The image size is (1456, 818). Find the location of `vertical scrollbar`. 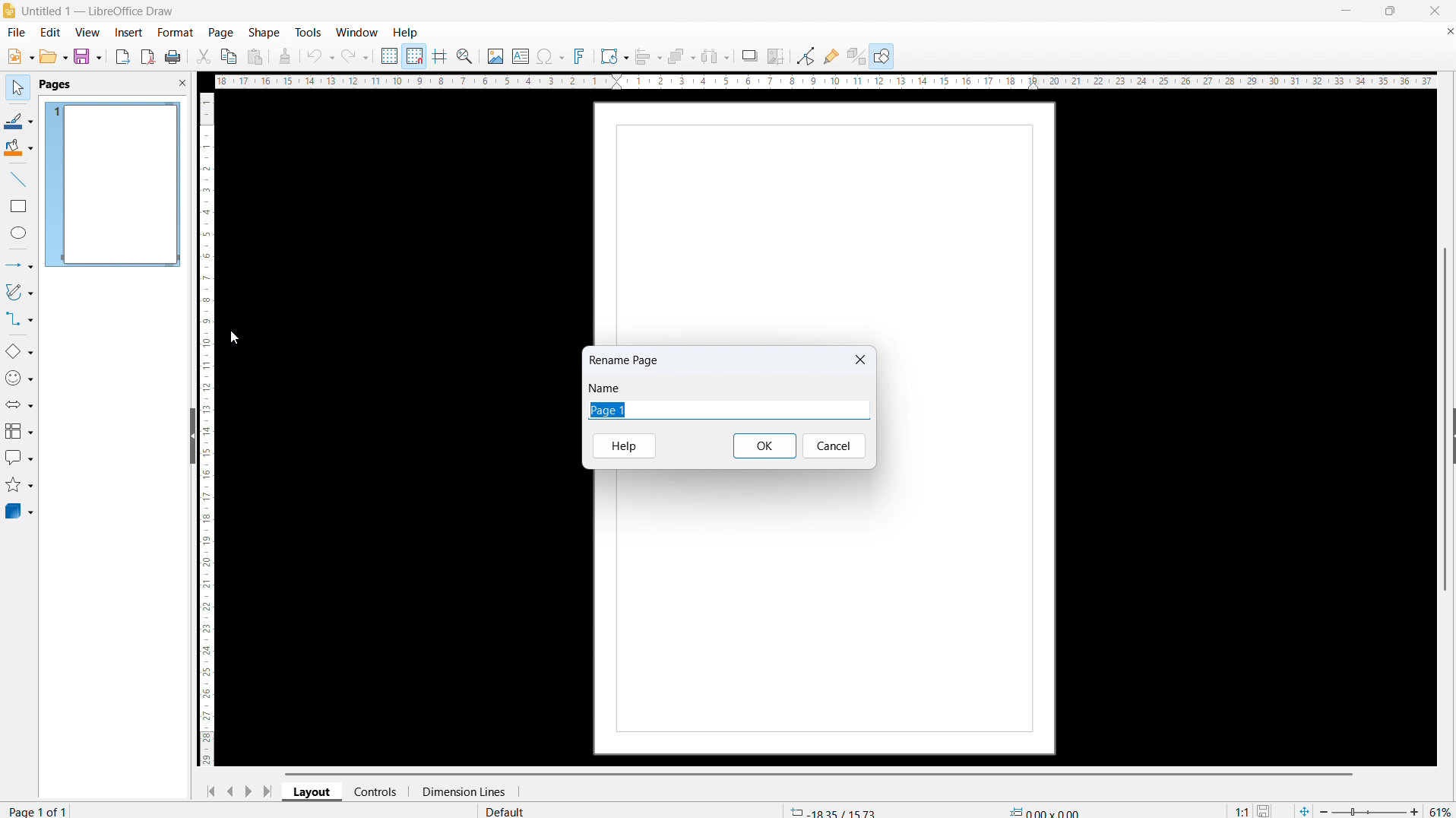

vertical scrollbar is located at coordinates (1445, 317).